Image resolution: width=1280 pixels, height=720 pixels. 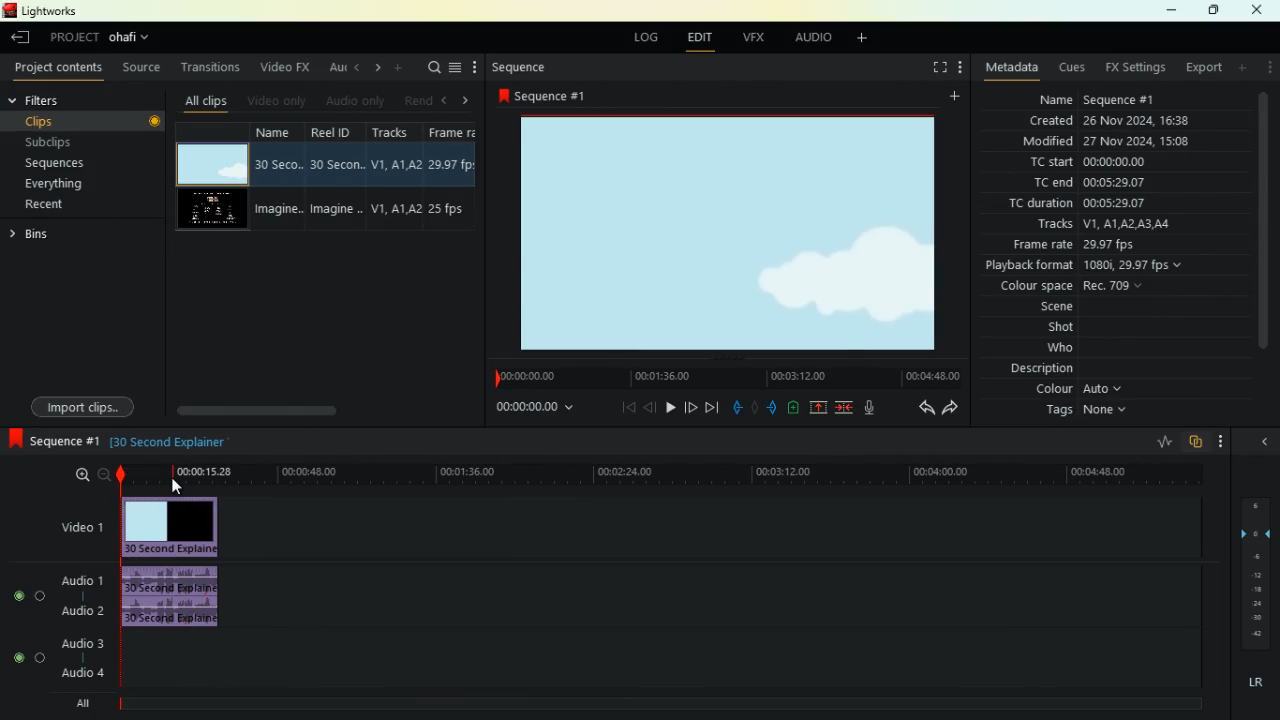 What do you see at coordinates (1052, 329) in the screenshot?
I see `shot` at bounding box center [1052, 329].